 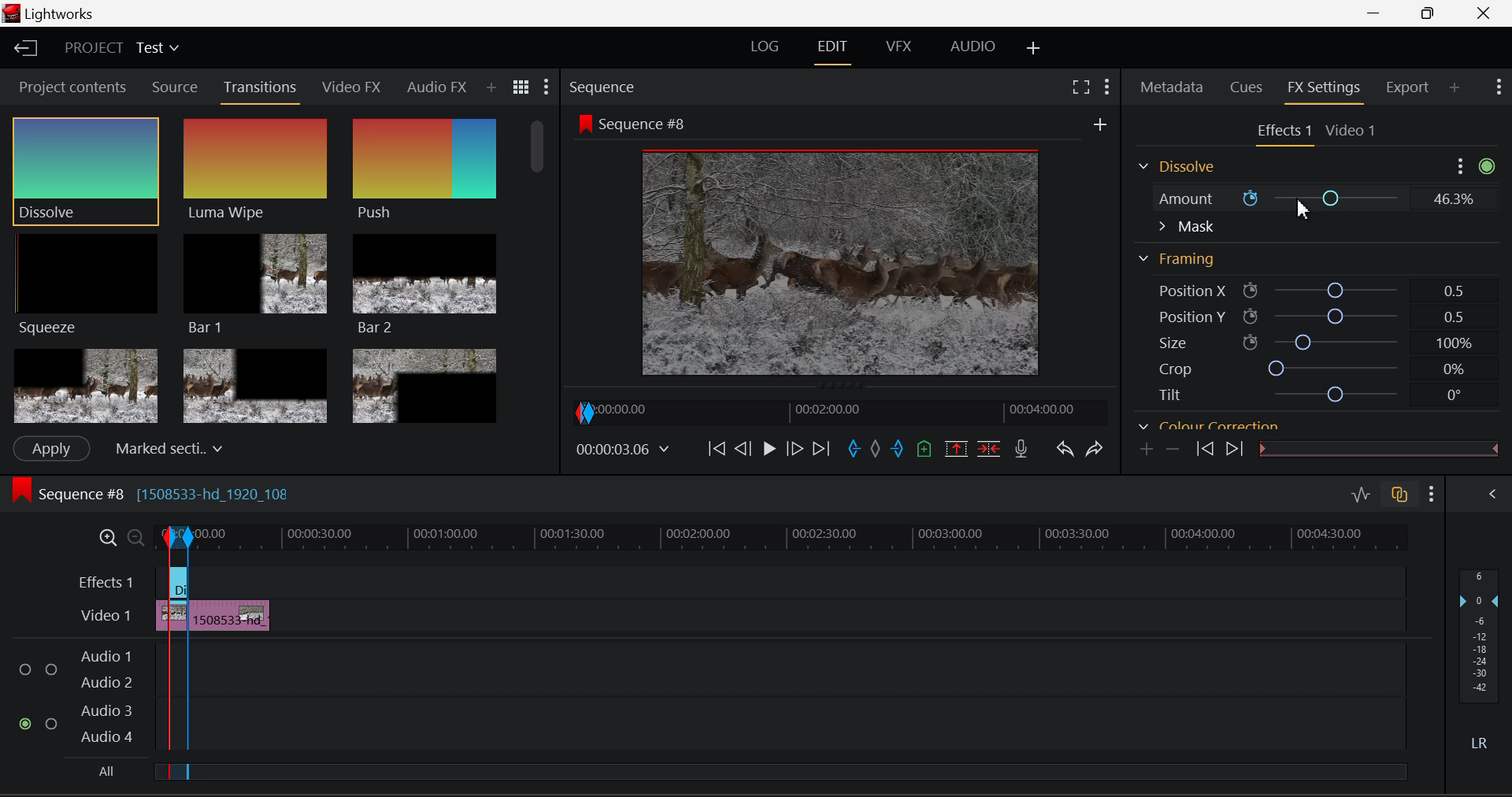 What do you see at coordinates (106, 736) in the screenshot?
I see `Audio 4` at bounding box center [106, 736].